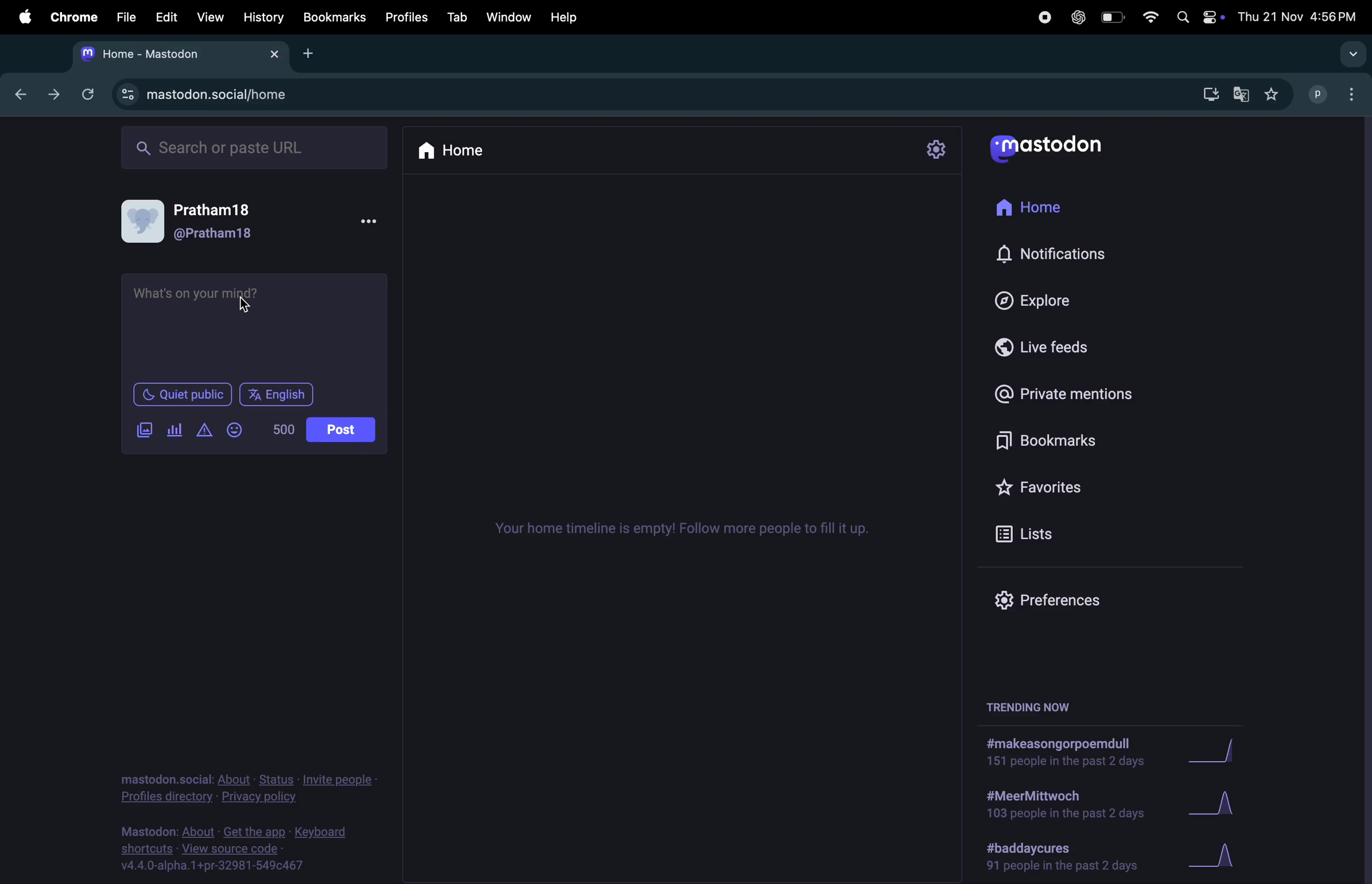 Image resolution: width=1372 pixels, height=884 pixels. I want to click on apple menu, so click(18, 15).